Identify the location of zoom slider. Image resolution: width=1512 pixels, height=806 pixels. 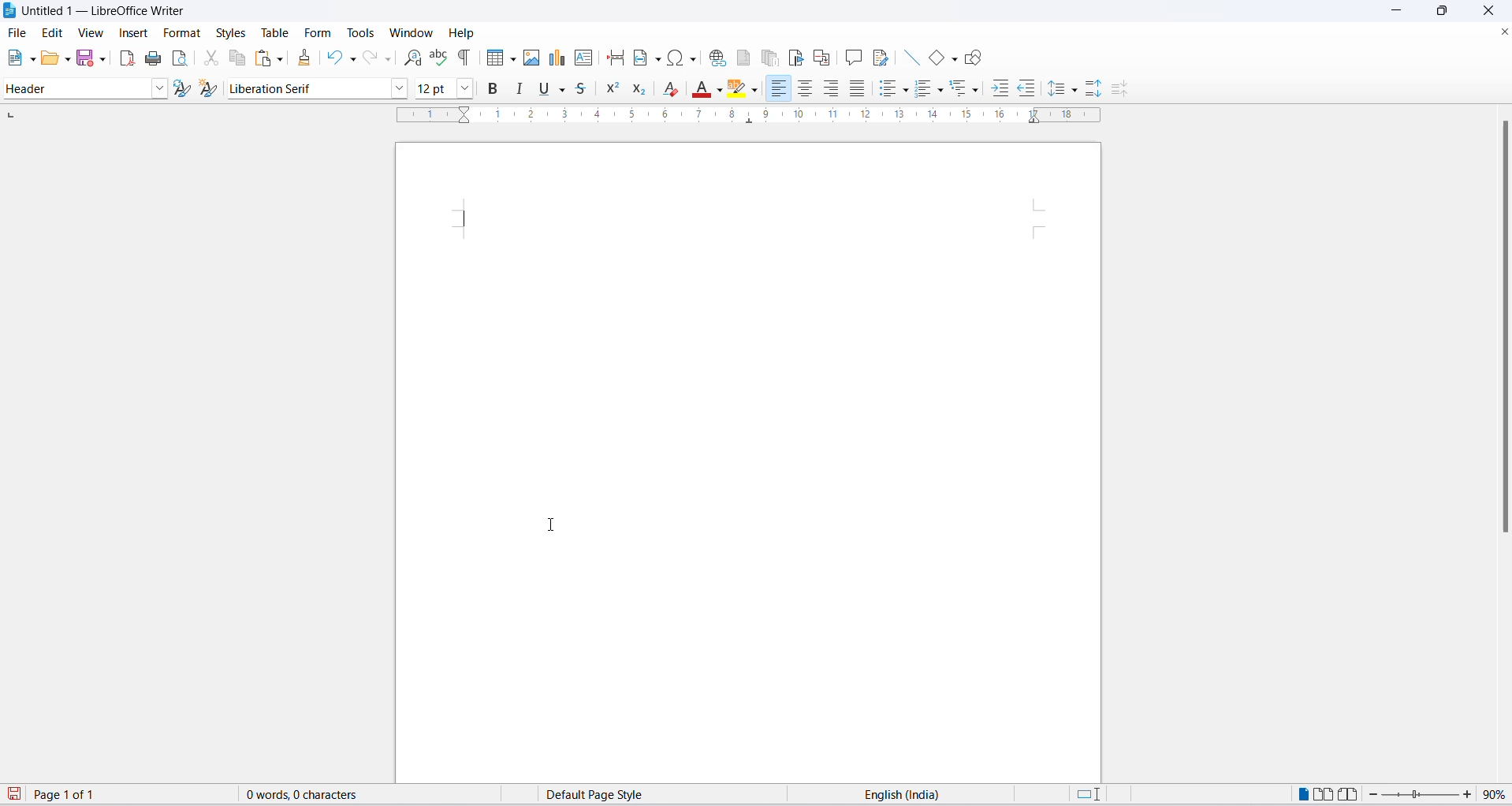
(1417, 797).